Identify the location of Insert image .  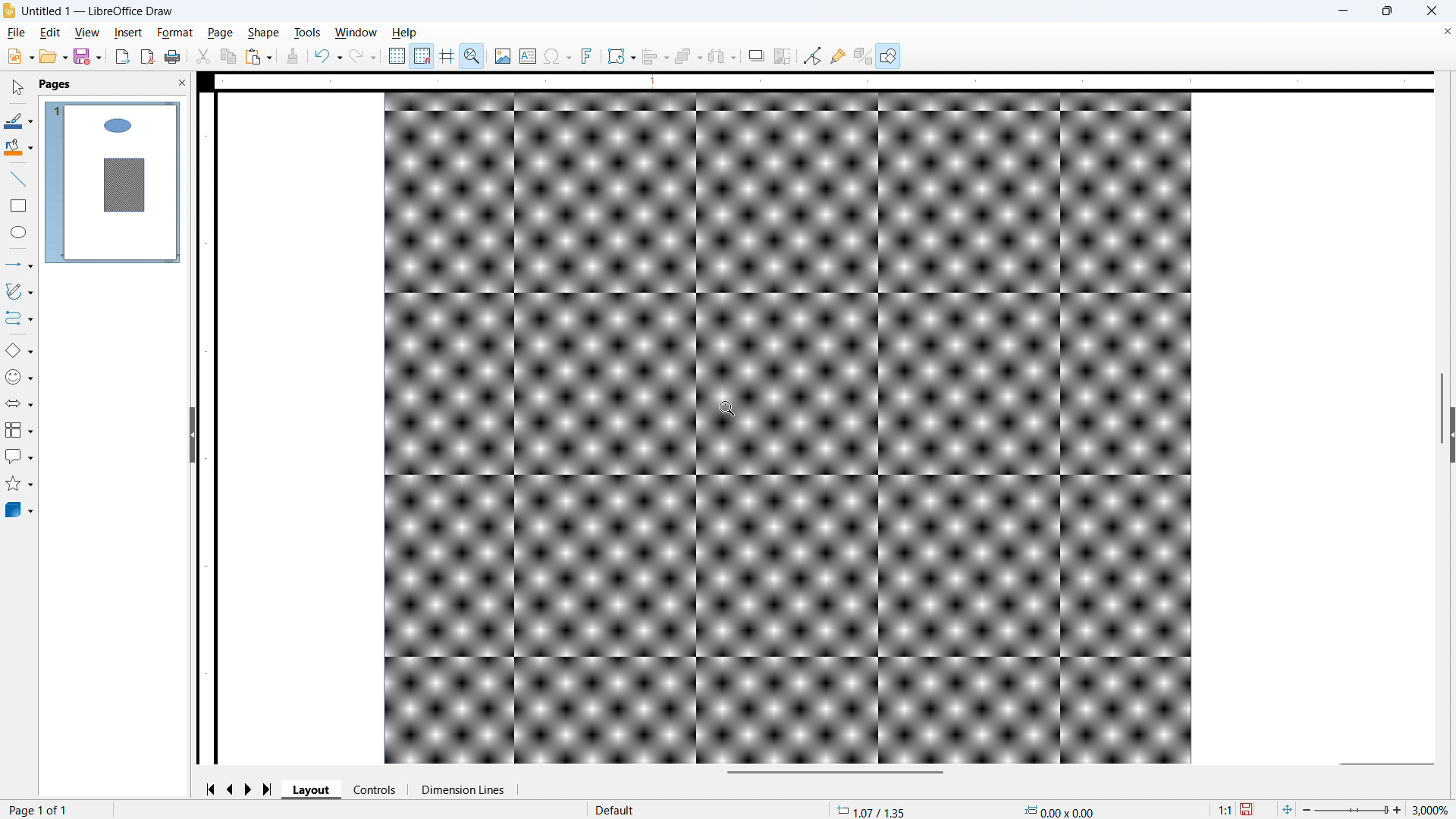
(503, 55).